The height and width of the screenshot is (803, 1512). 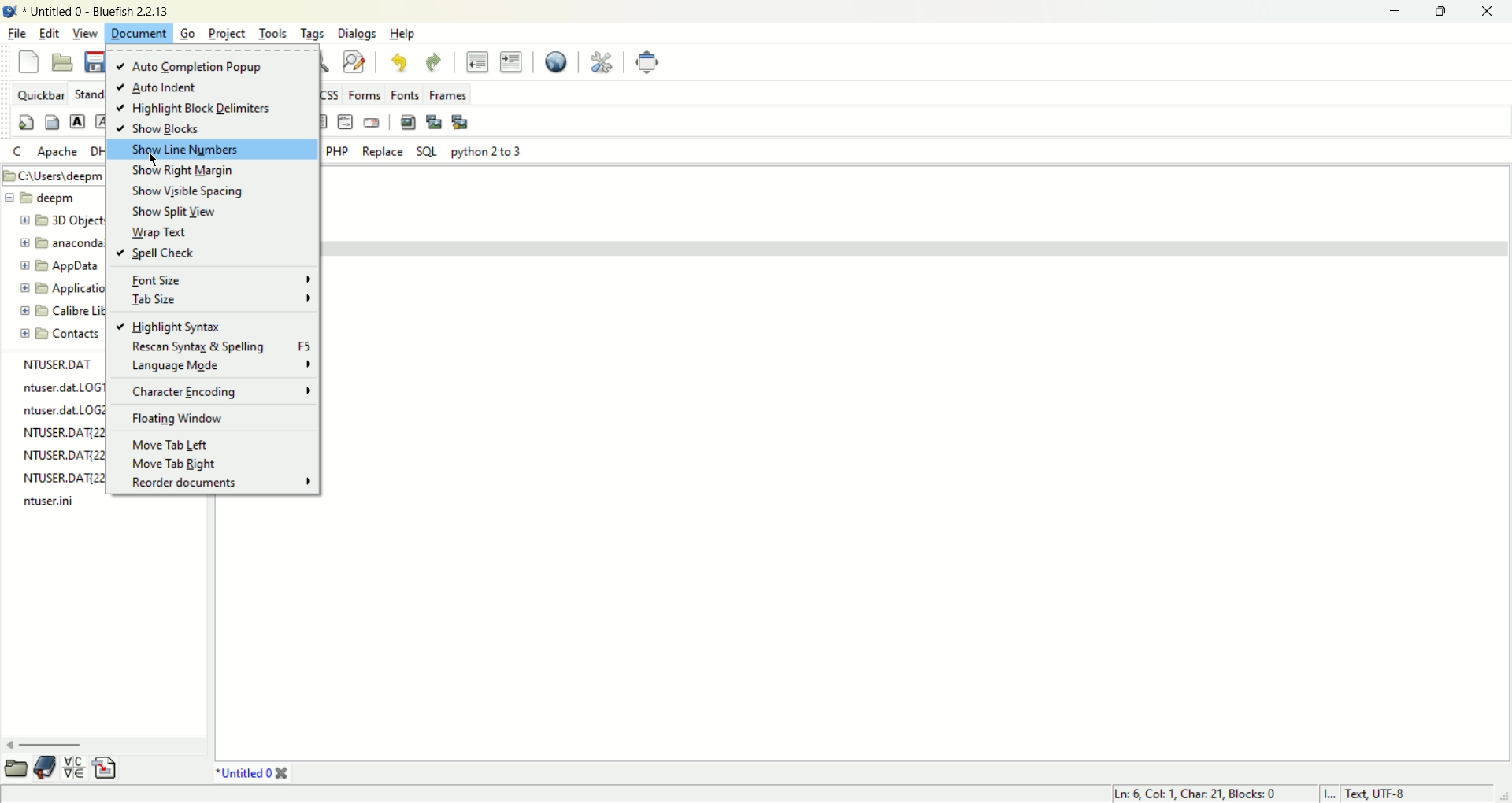 What do you see at coordinates (1440, 12) in the screenshot?
I see `maximize` at bounding box center [1440, 12].